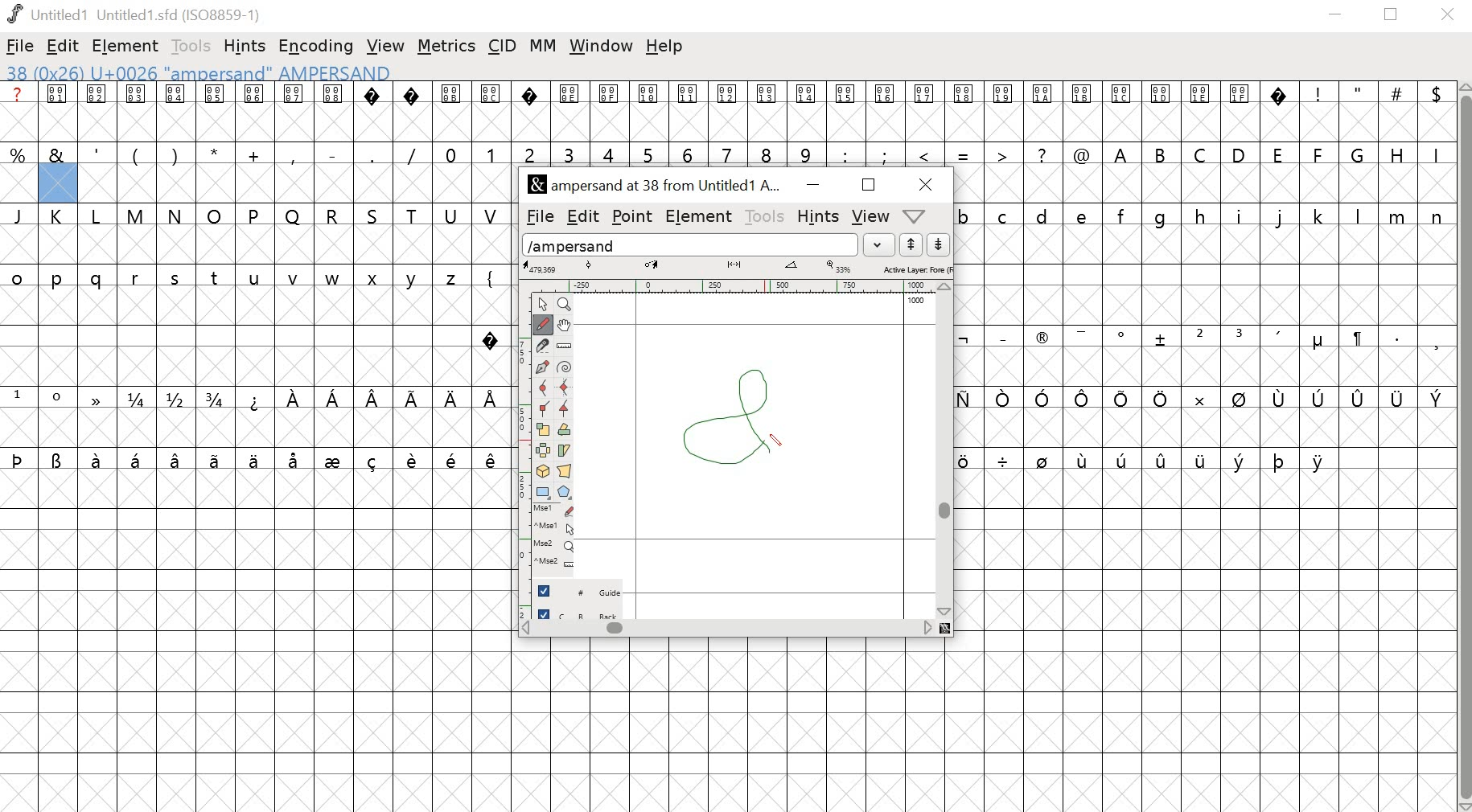 This screenshot has width=1472, height=812. Describe the element at coordinates (731, 111) in the screenshot. I see `0012` at that location.